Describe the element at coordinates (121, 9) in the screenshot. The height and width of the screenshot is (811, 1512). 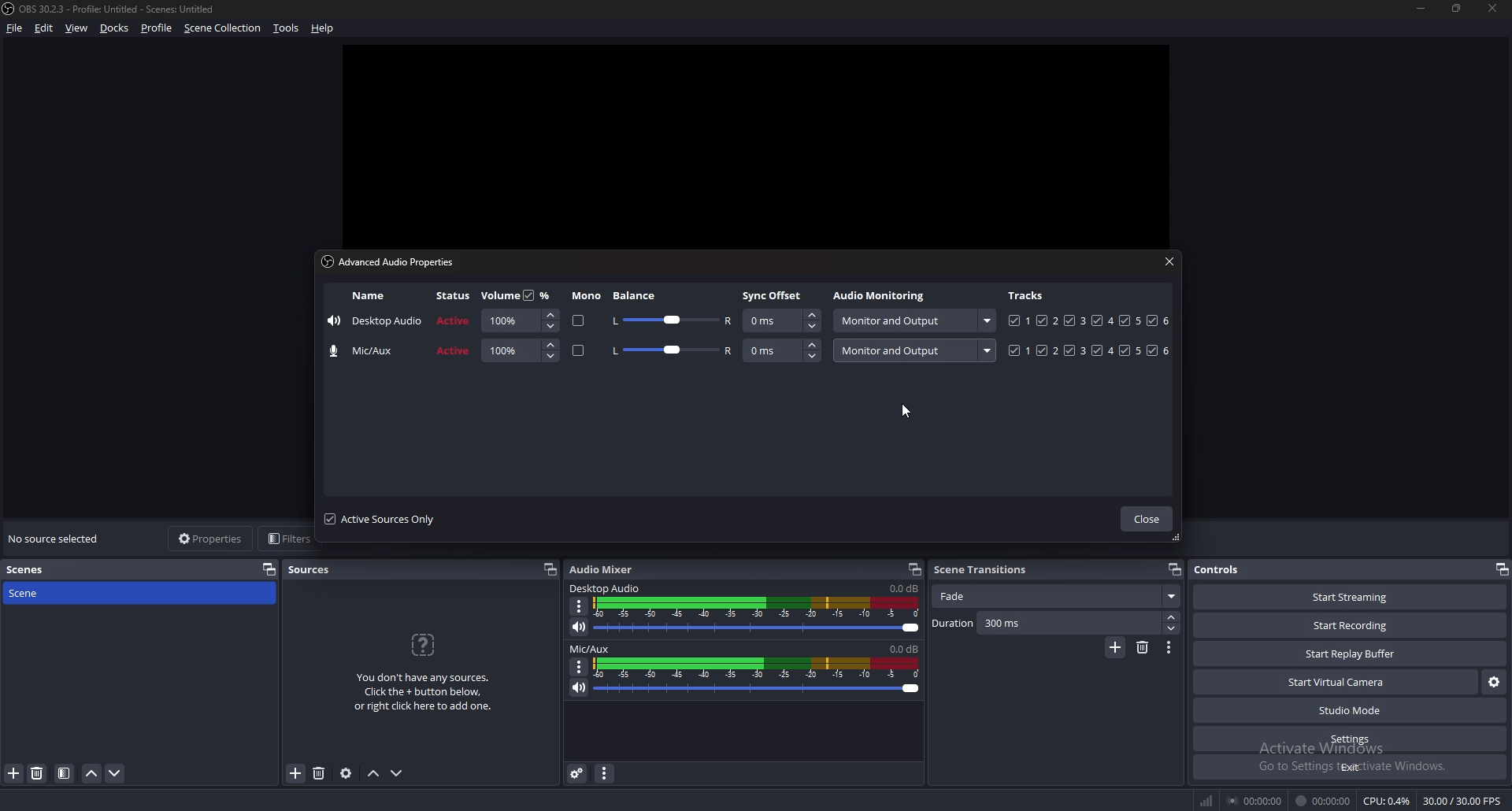
I see `‘OBS 30.2.3 - Profile: Untitled - Scenes: Untitled` at that location.